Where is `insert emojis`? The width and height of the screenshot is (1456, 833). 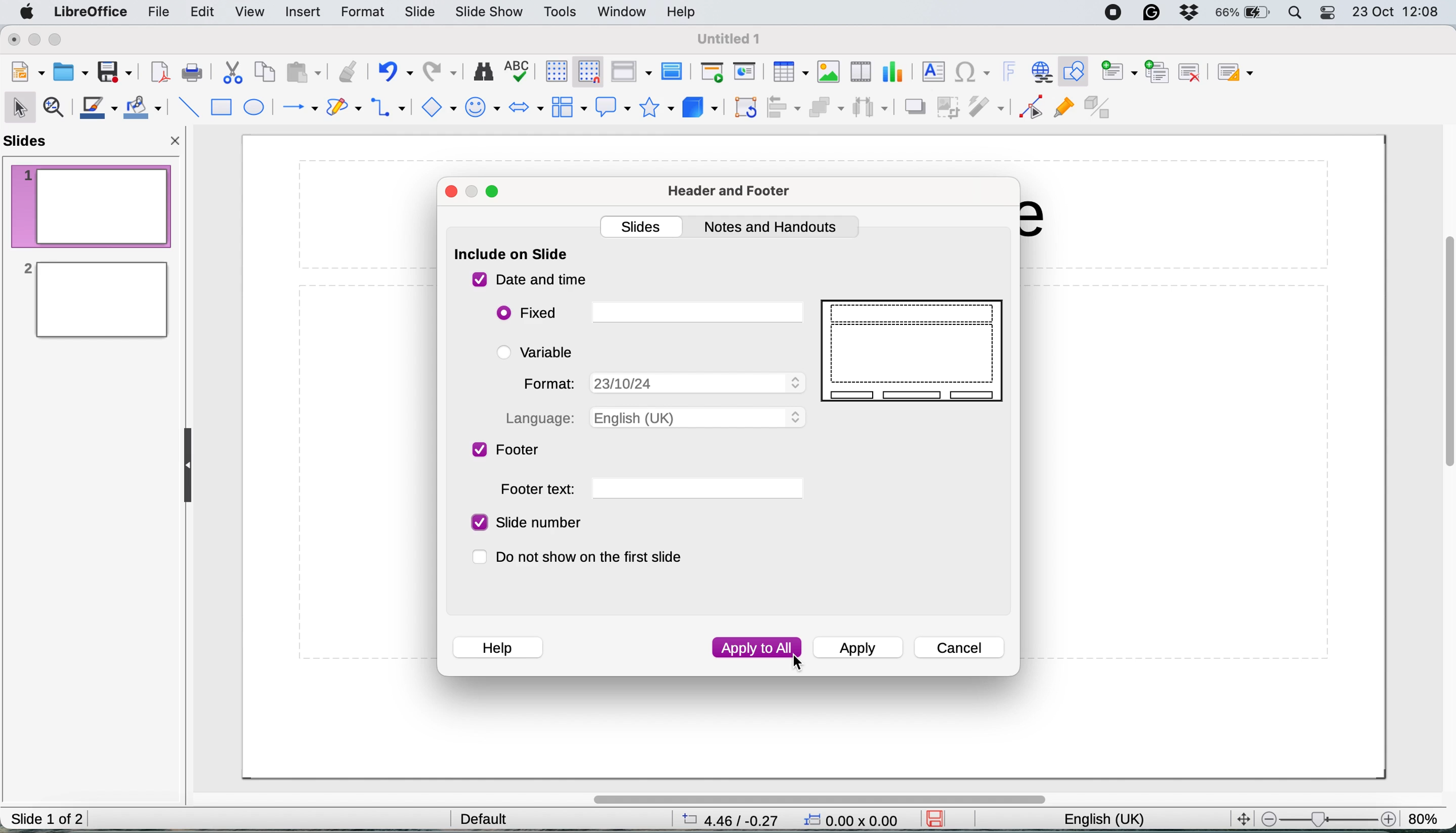
insert emojis is located at coordinates (483, 108).